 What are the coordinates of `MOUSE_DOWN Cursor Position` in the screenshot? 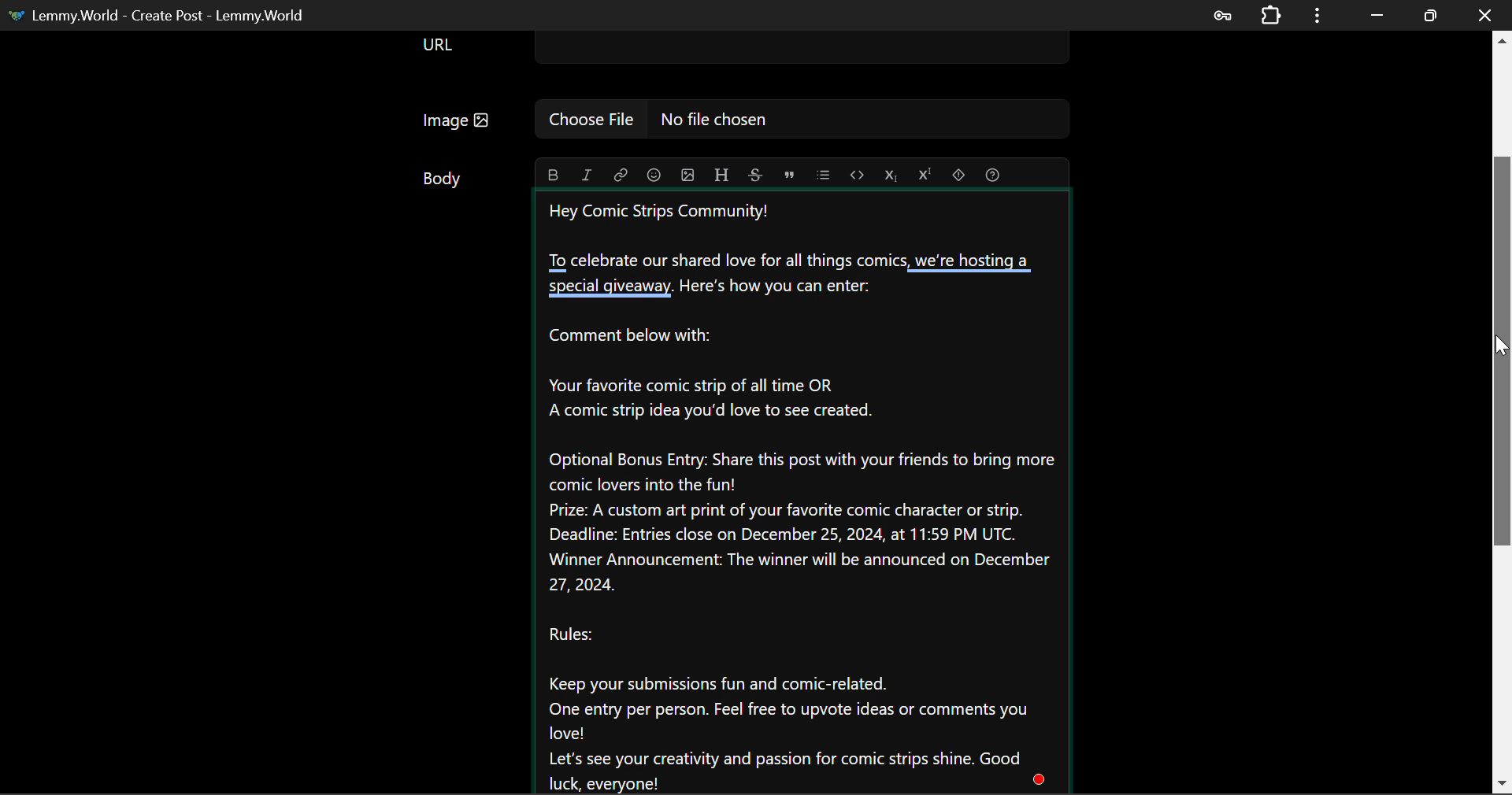 It's located at (1501, 342).